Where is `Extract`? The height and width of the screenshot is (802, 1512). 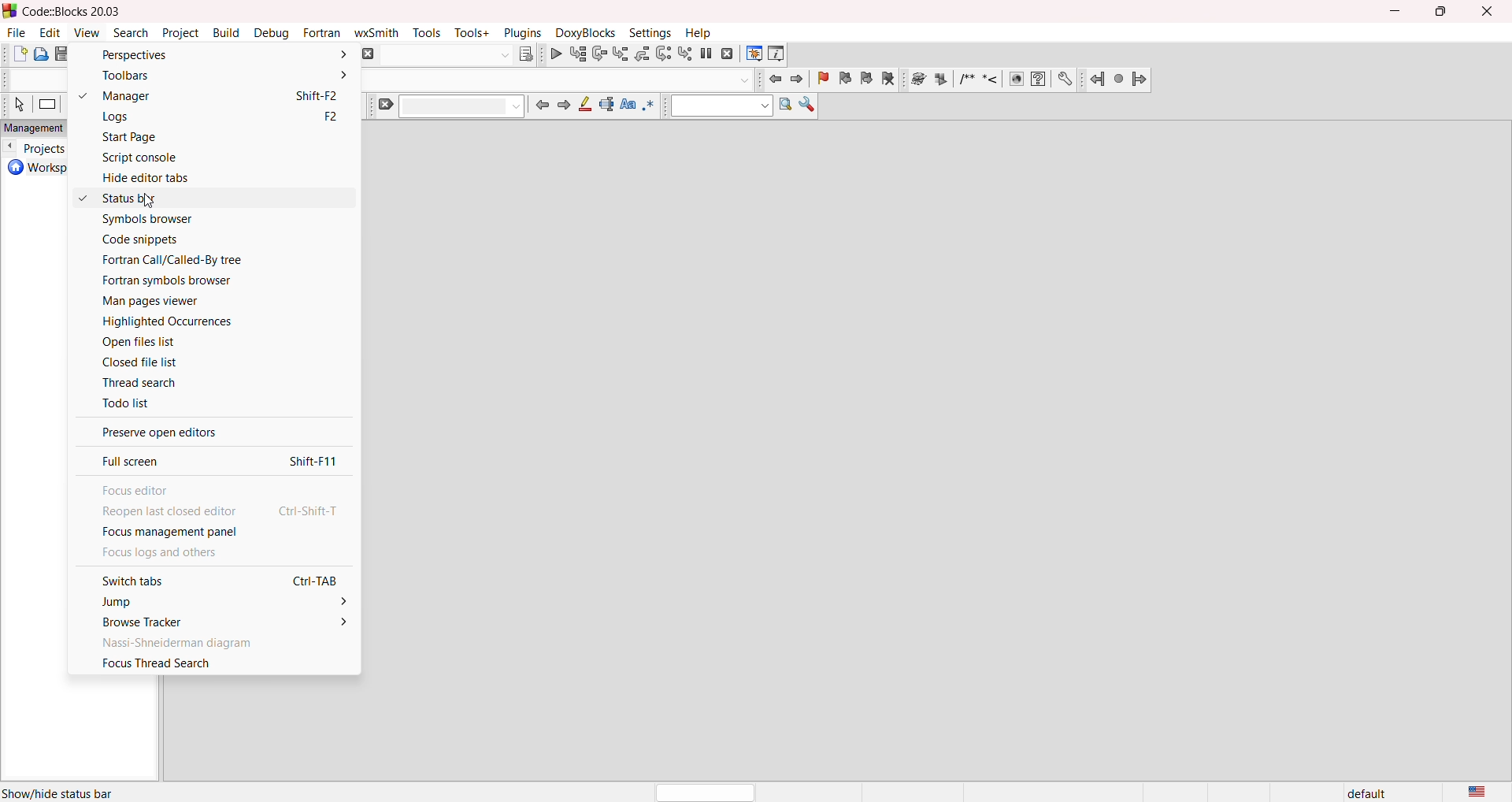 Extract is located at coordinates (941, 79).